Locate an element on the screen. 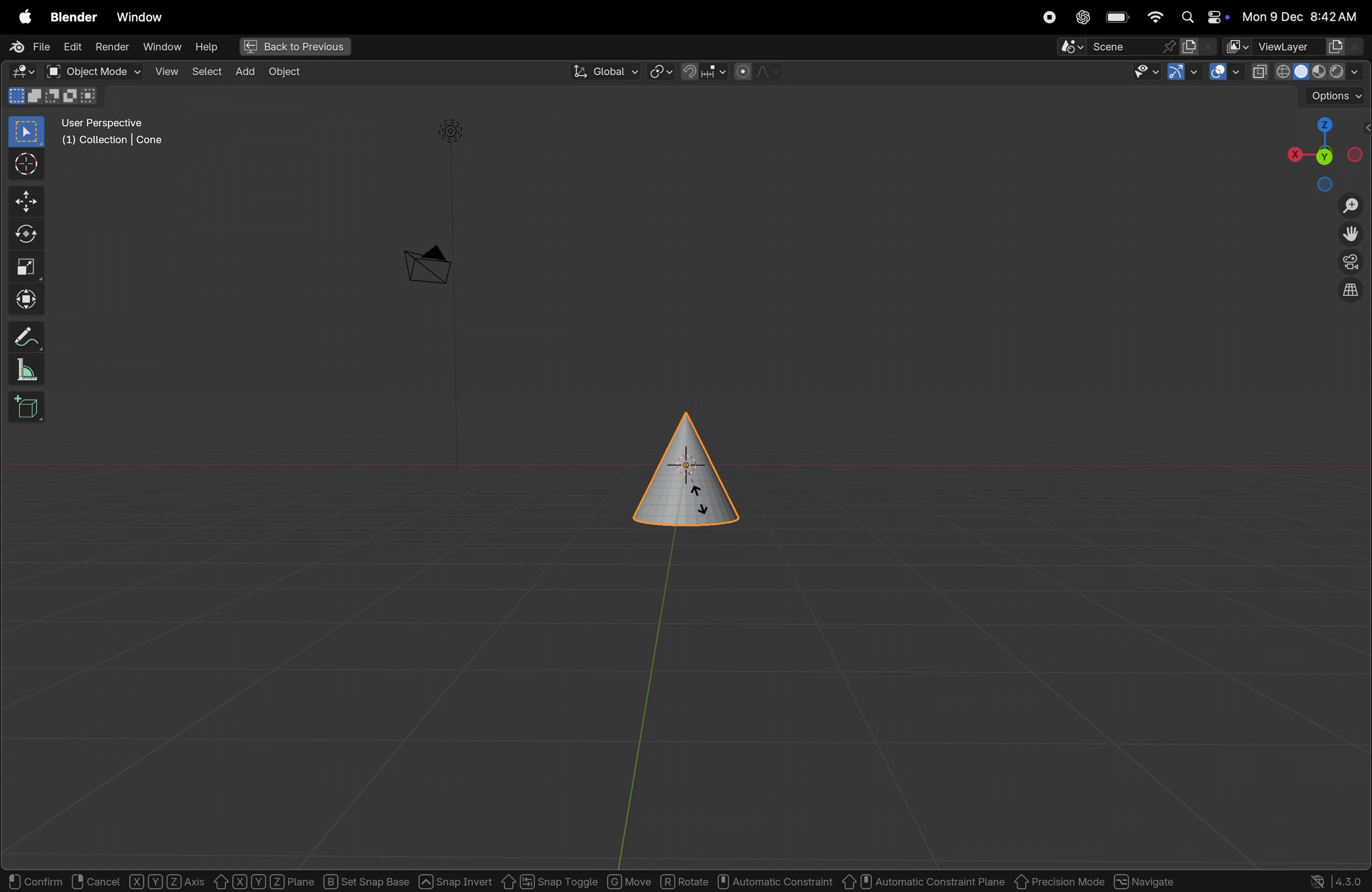 The image size is (1372, 892). snapping is located at coordinates (705, 71).